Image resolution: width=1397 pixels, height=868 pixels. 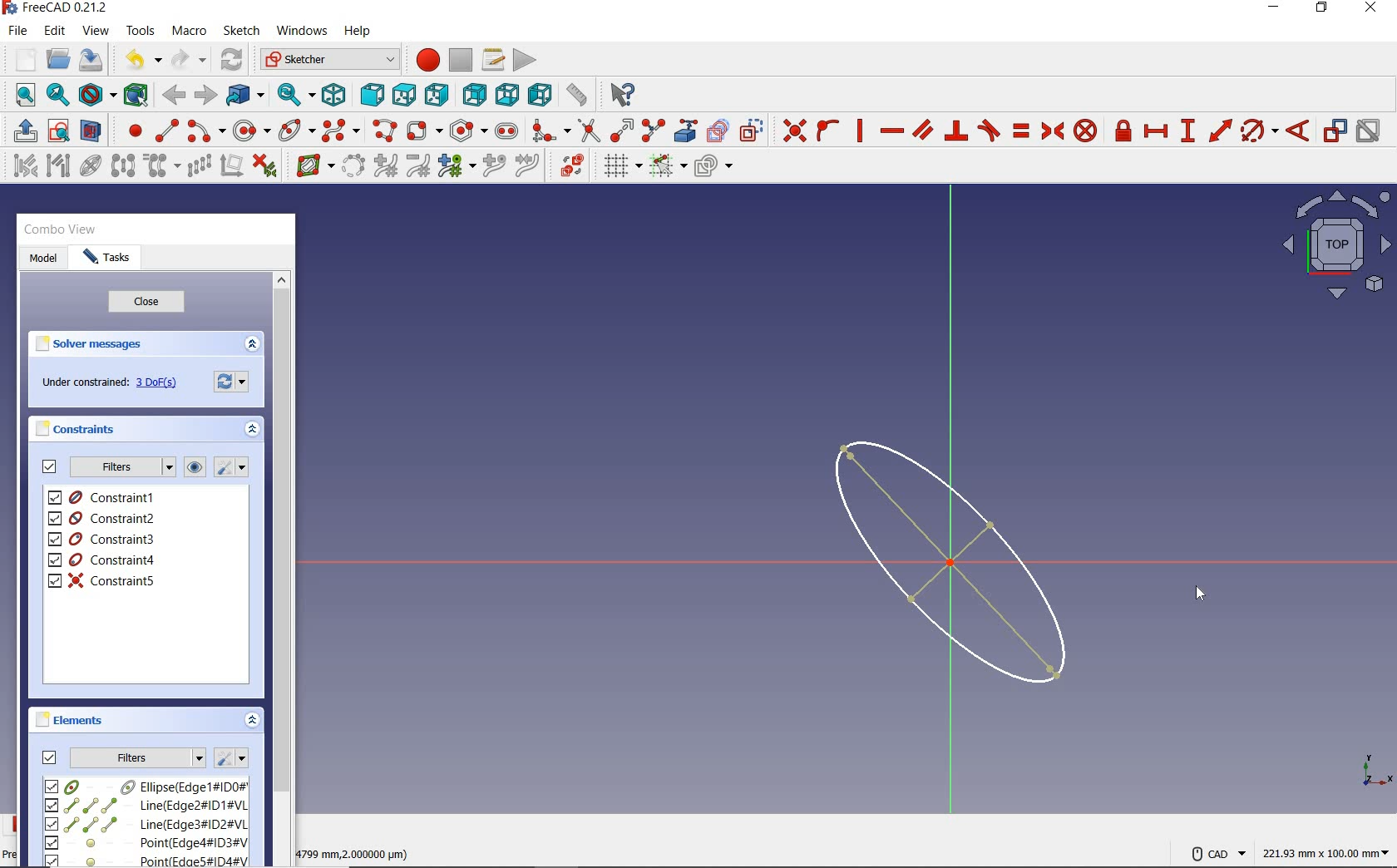 What do you see at coordinates (94, 131) in the screenshot?
I see `view section` at bounding box center [94, 131].